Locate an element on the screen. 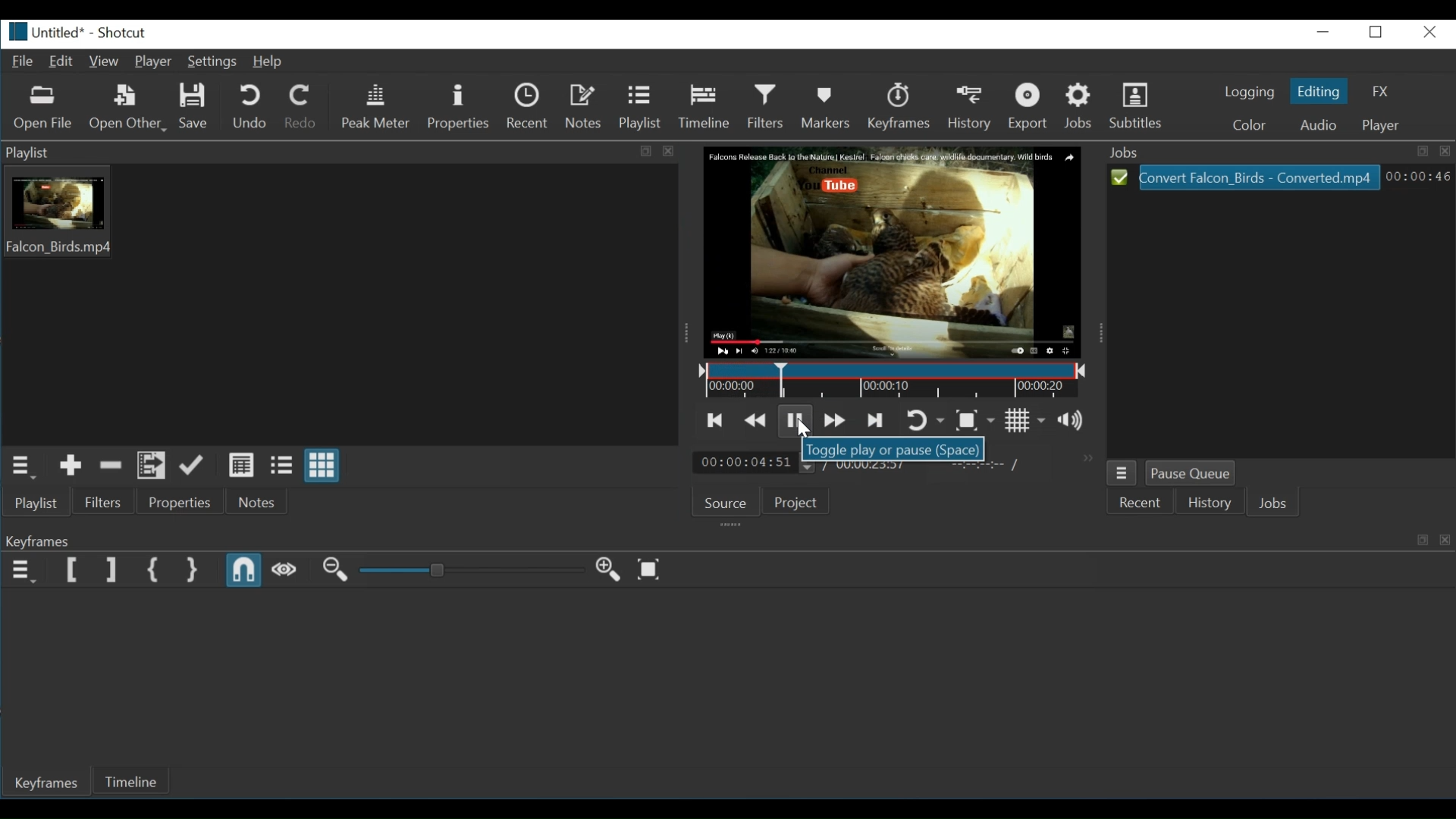 This screenshot has width=1456, height=819. Adjust Zoom keyframe  is located at coordinates (471, 570).